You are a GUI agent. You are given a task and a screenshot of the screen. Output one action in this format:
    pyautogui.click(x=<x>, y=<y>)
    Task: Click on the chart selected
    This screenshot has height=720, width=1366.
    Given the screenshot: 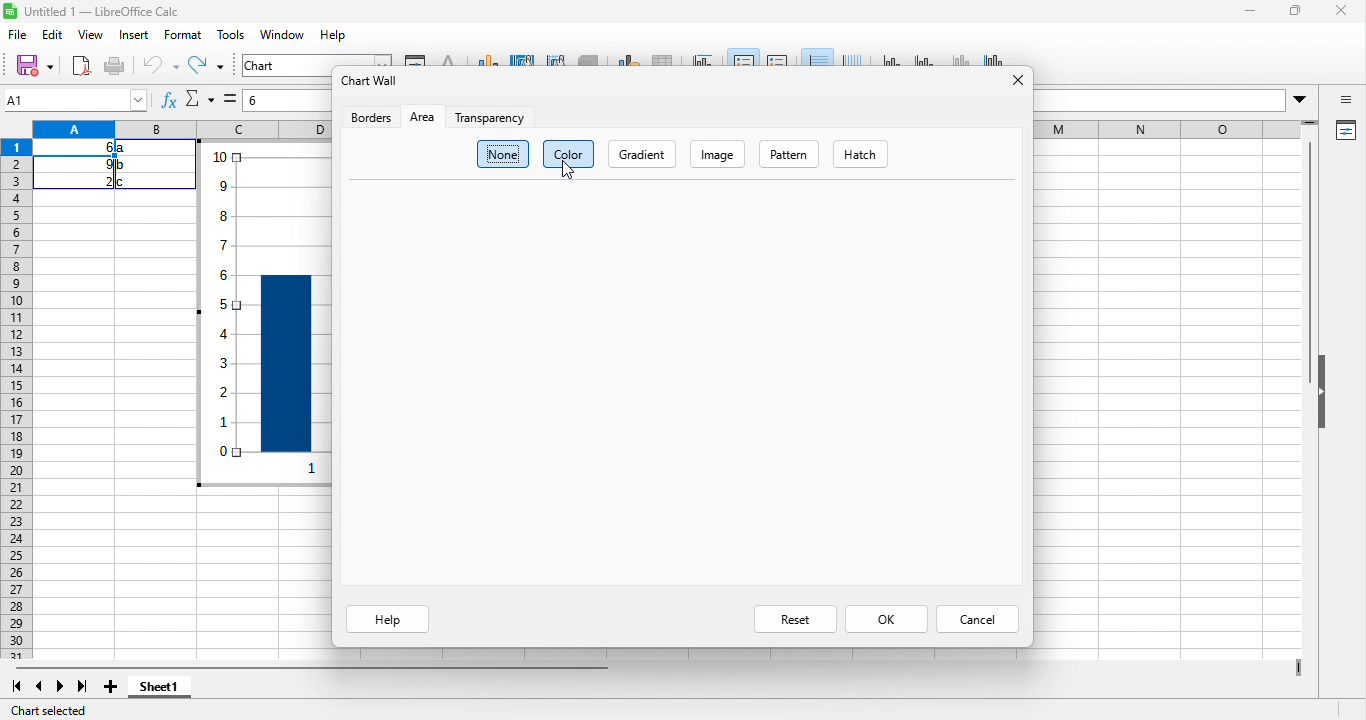 What is the action you would take?
    pyautogui.click(x=59, y=710)
    